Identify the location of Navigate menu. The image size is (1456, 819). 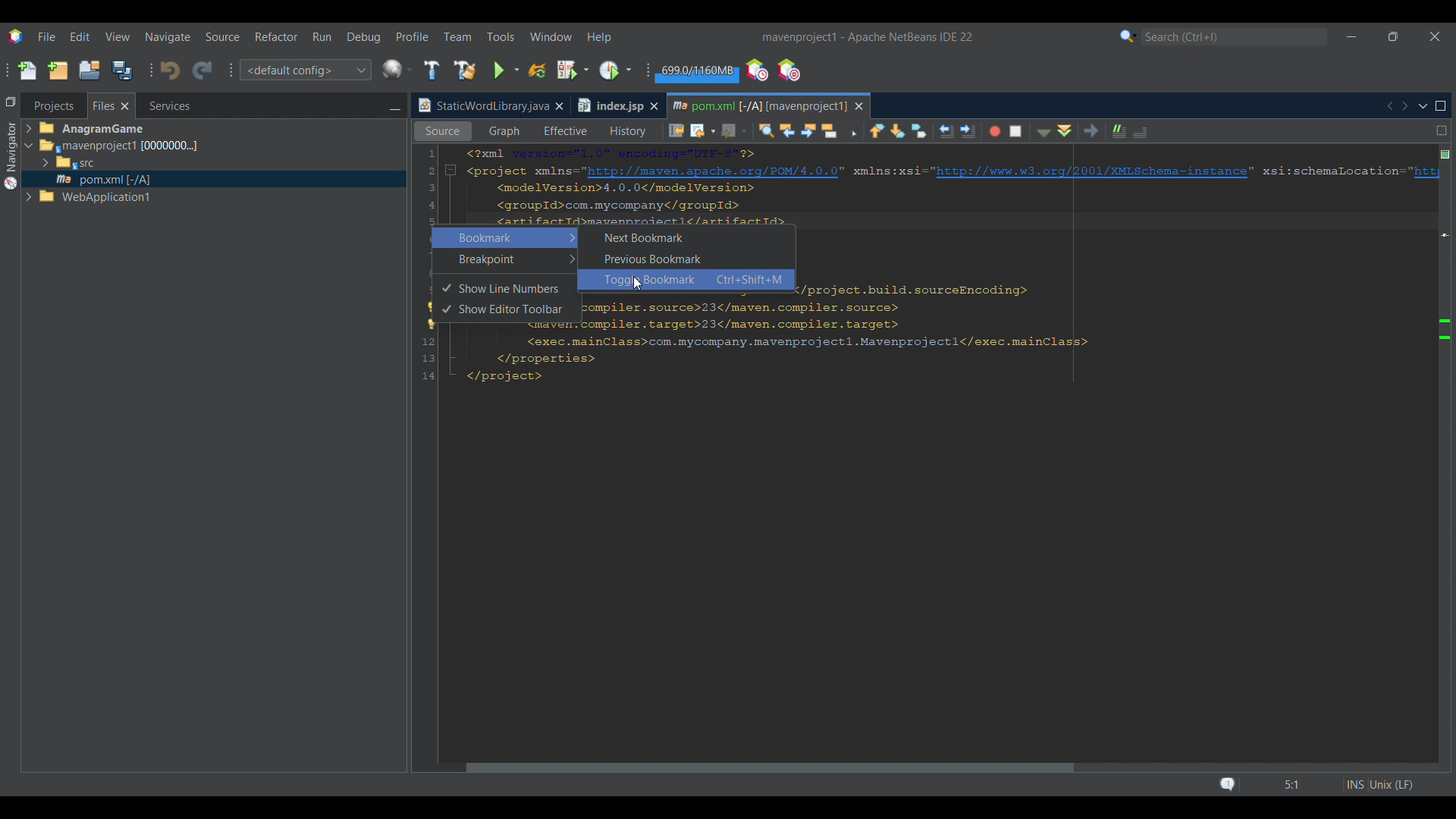
(168, 37).